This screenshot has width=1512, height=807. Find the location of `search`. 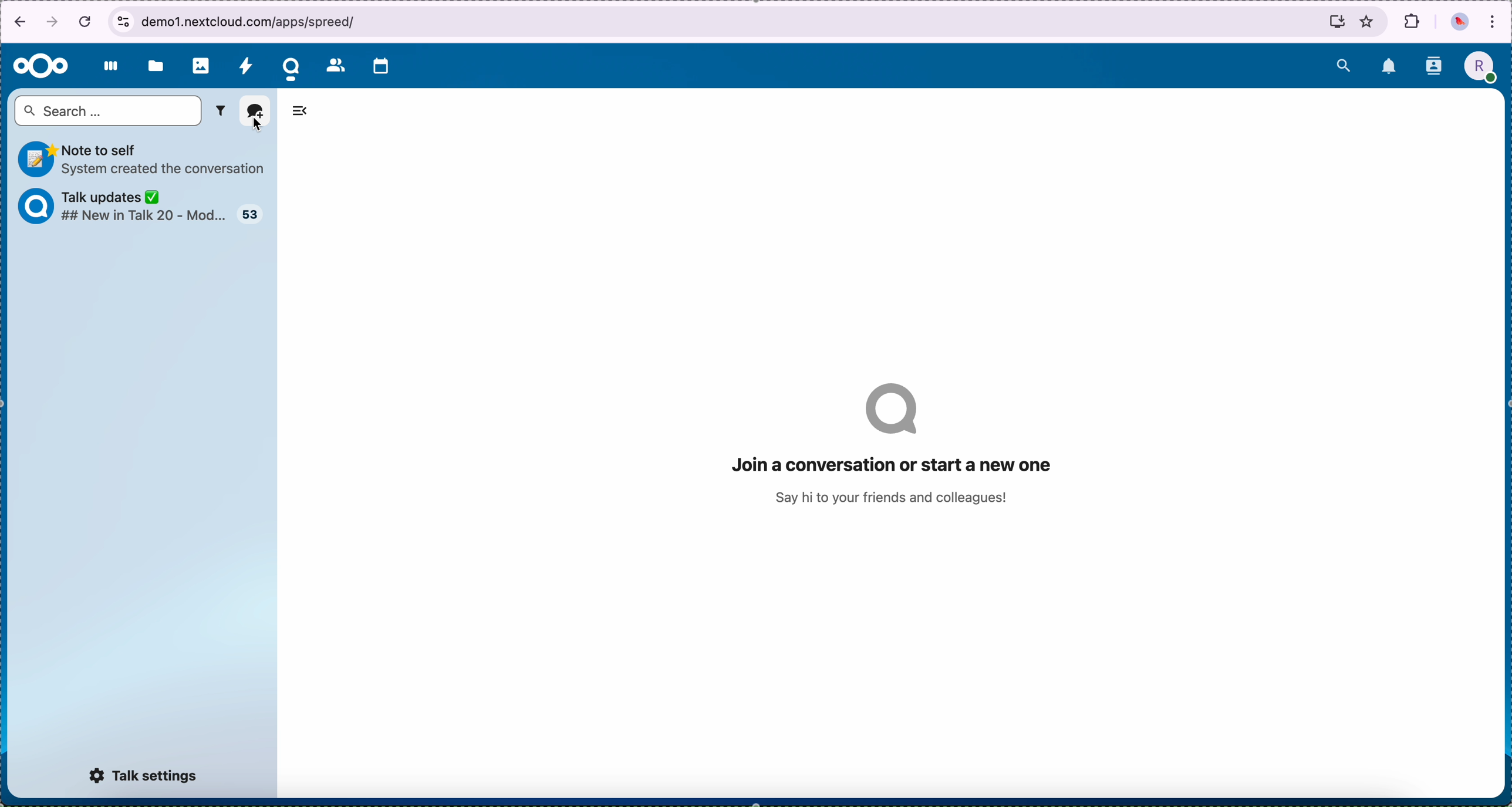

search is located at coordinates (1341, 65).